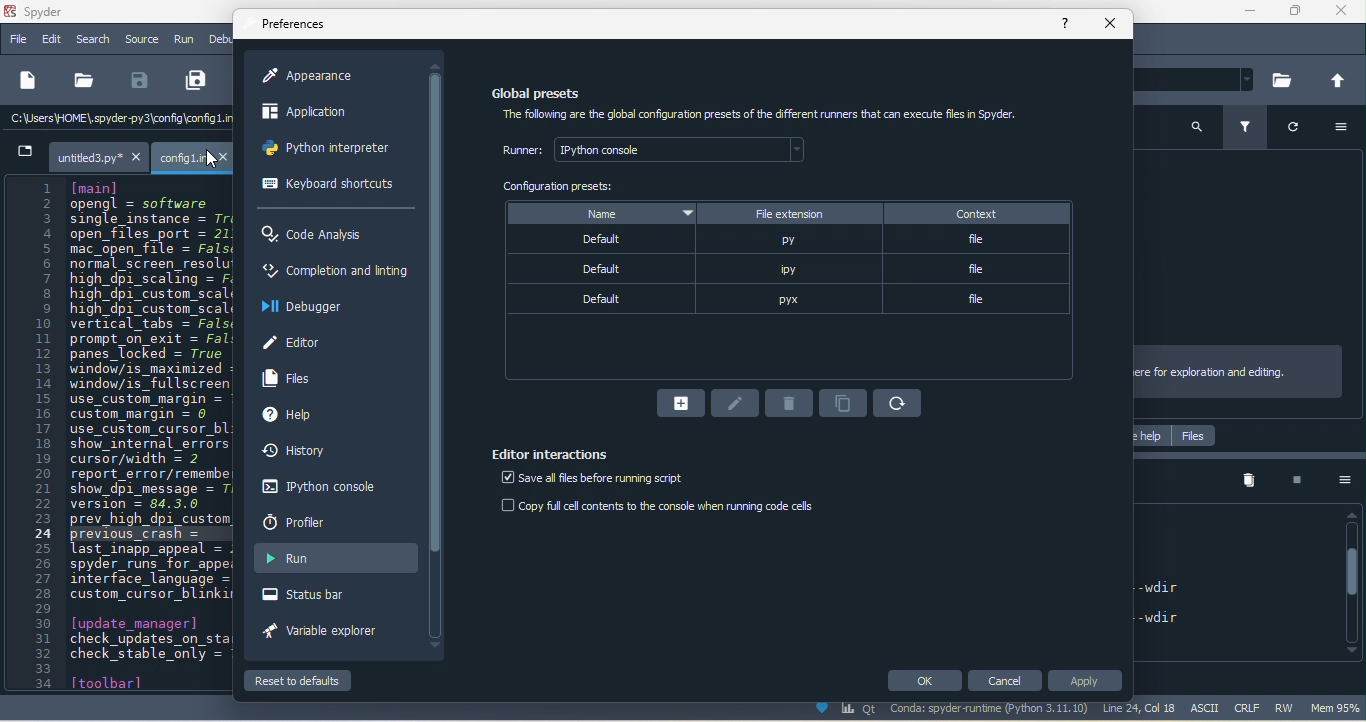 This screenshot has height=722, width=1366. I want to click on profiler, so click(305, 523).